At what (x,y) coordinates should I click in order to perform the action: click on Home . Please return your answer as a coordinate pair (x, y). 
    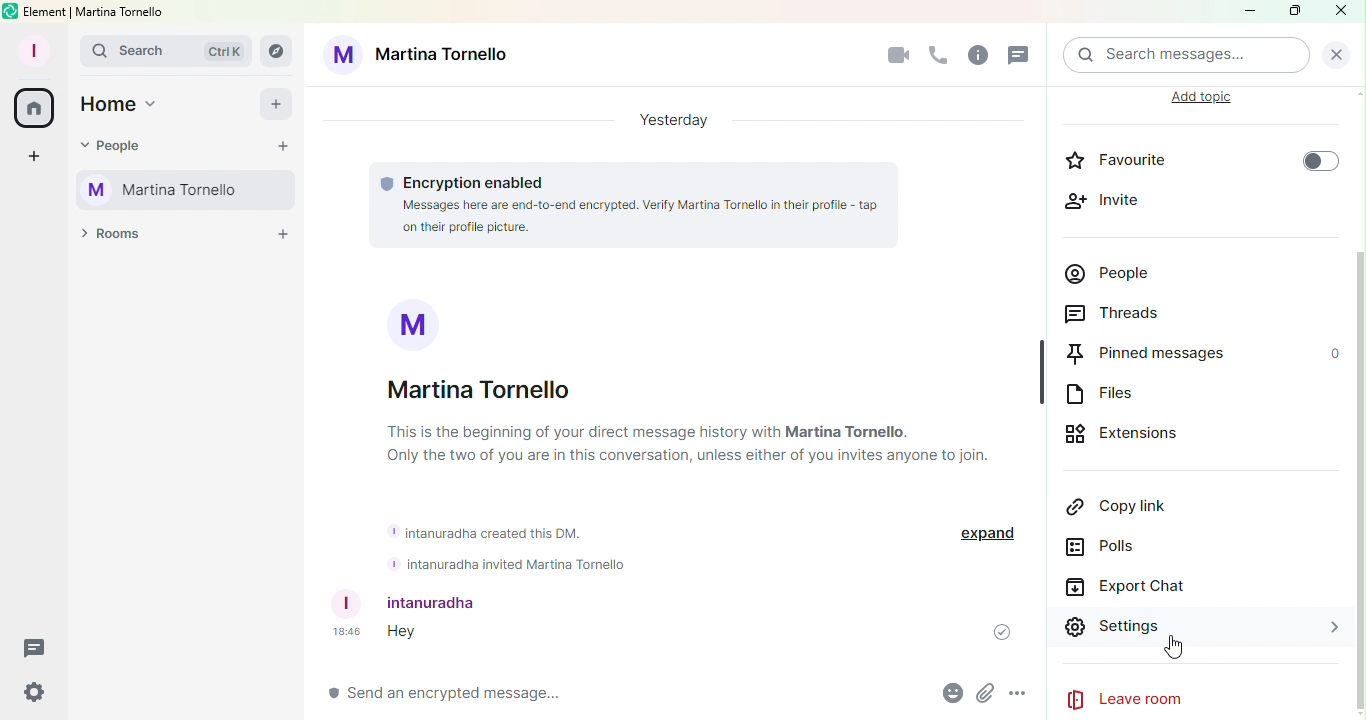
    Looking at the image, I should click on (124, 106).